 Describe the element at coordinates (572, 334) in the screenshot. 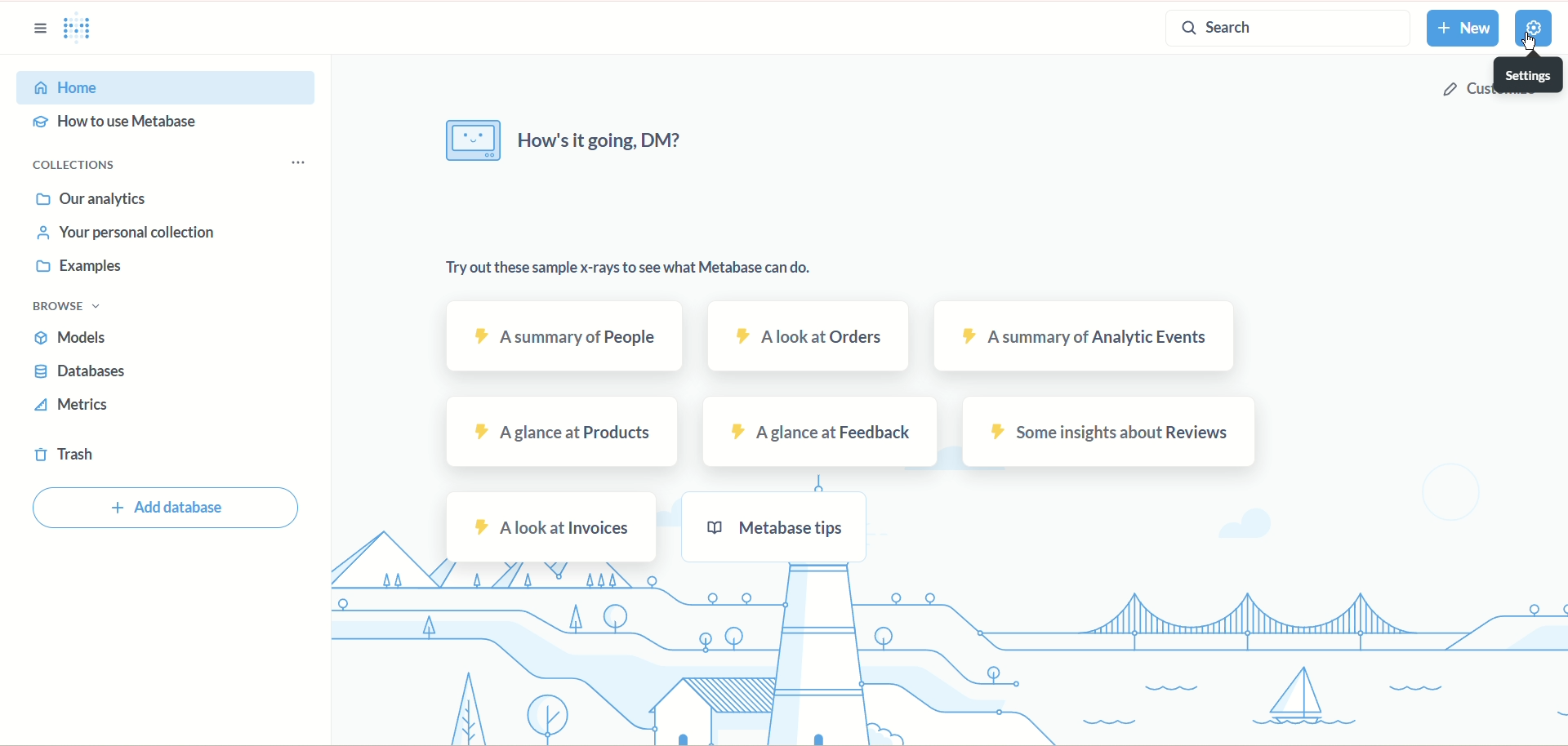

I see `a summary of people` at that location.